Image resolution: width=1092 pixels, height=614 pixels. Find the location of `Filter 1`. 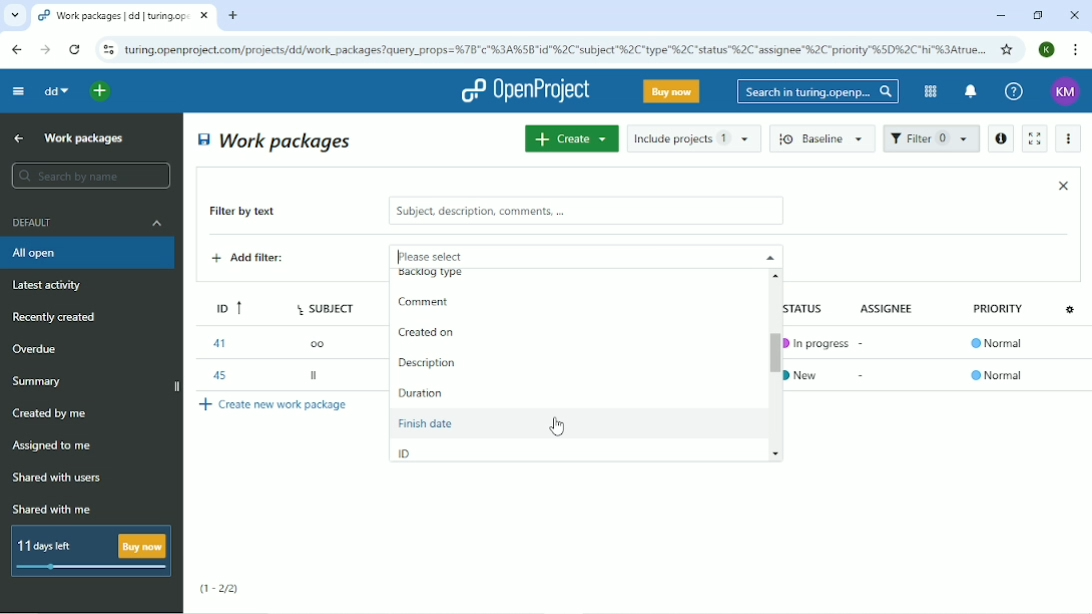

Filter 1 is located at coordinates (931, 140).